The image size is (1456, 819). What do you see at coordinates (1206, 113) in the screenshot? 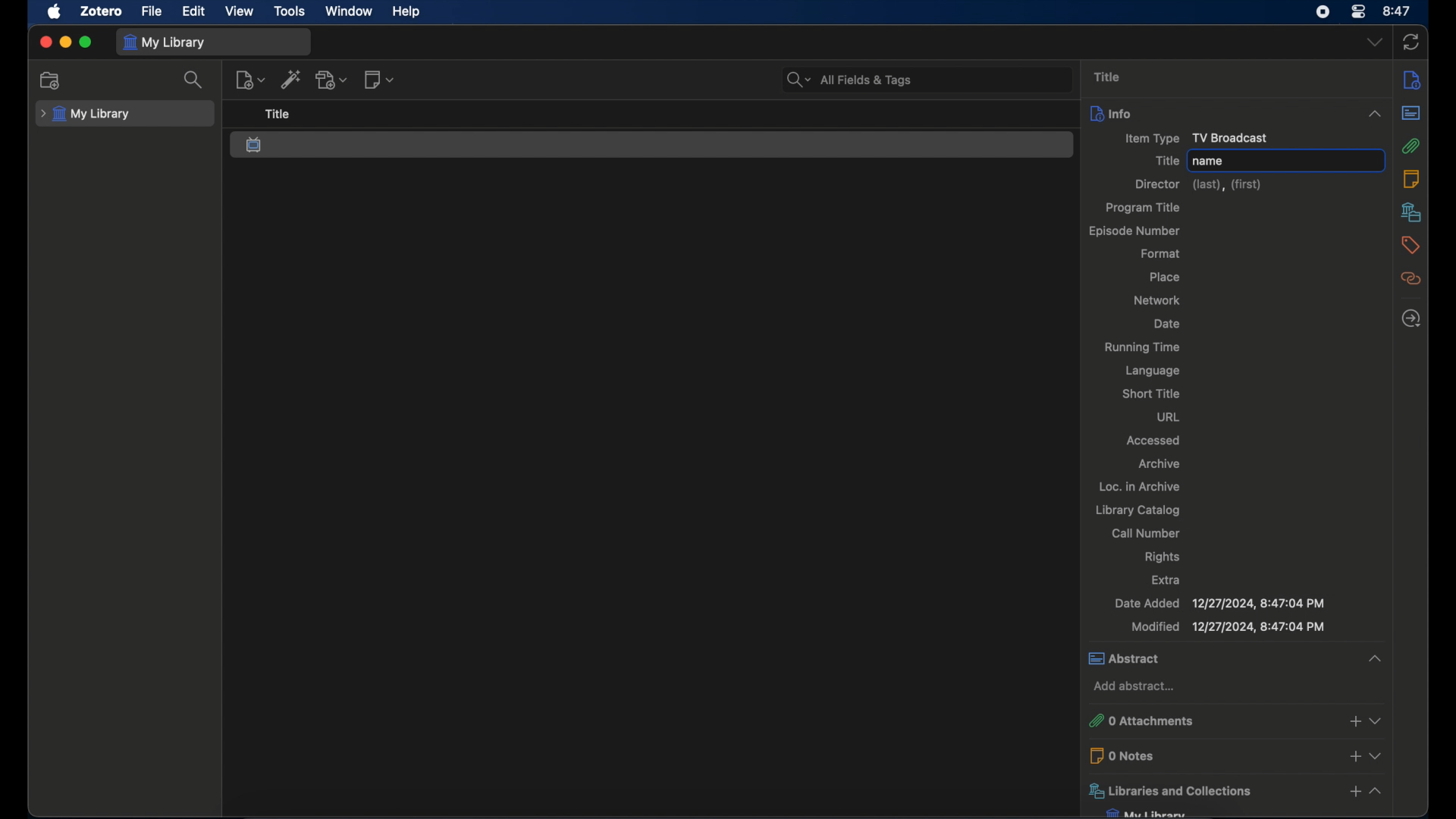
I see `info` at bounding box center [1206, 113].